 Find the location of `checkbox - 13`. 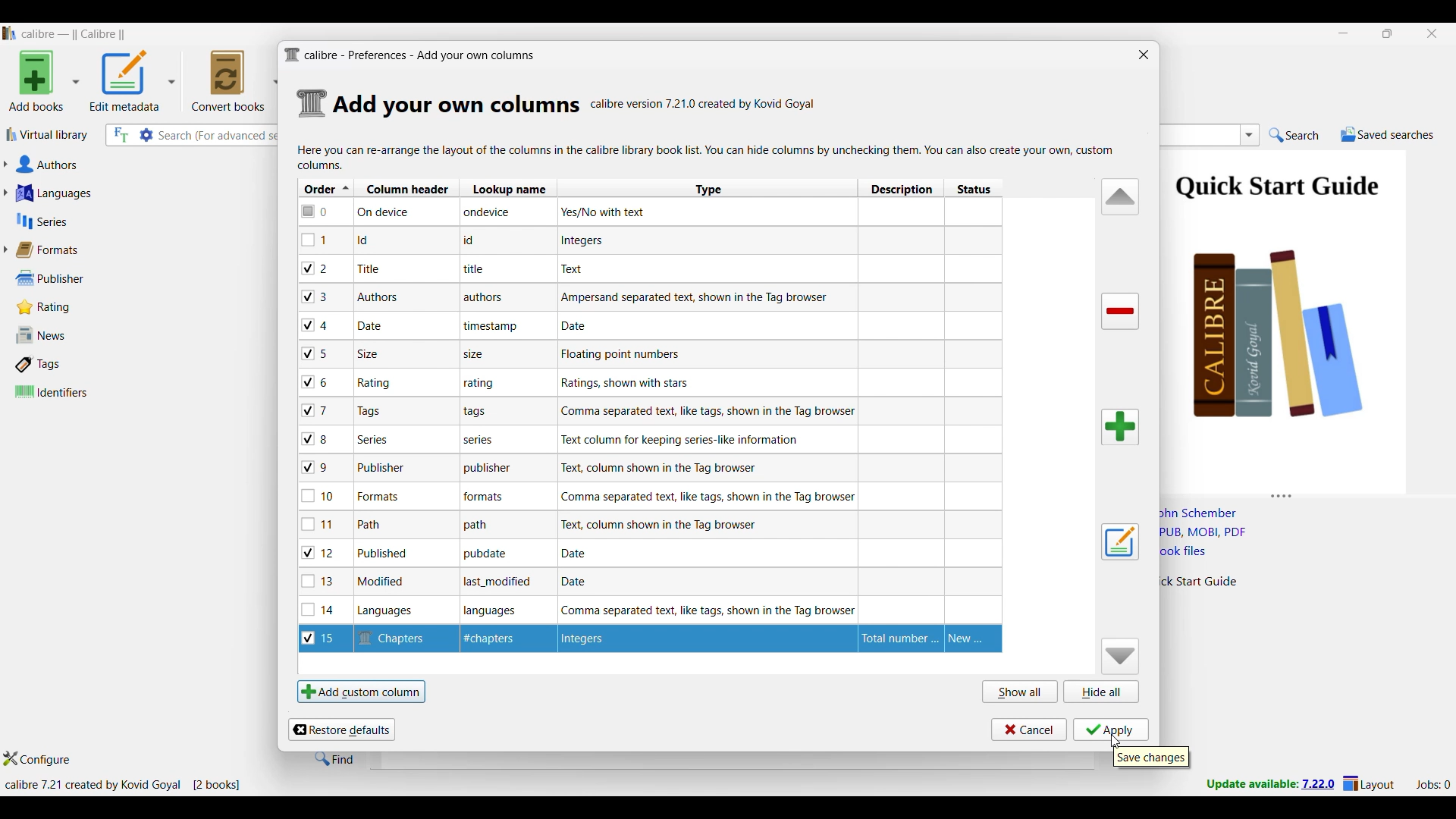

checkbox - 13 is located at coordinates (318, 581).